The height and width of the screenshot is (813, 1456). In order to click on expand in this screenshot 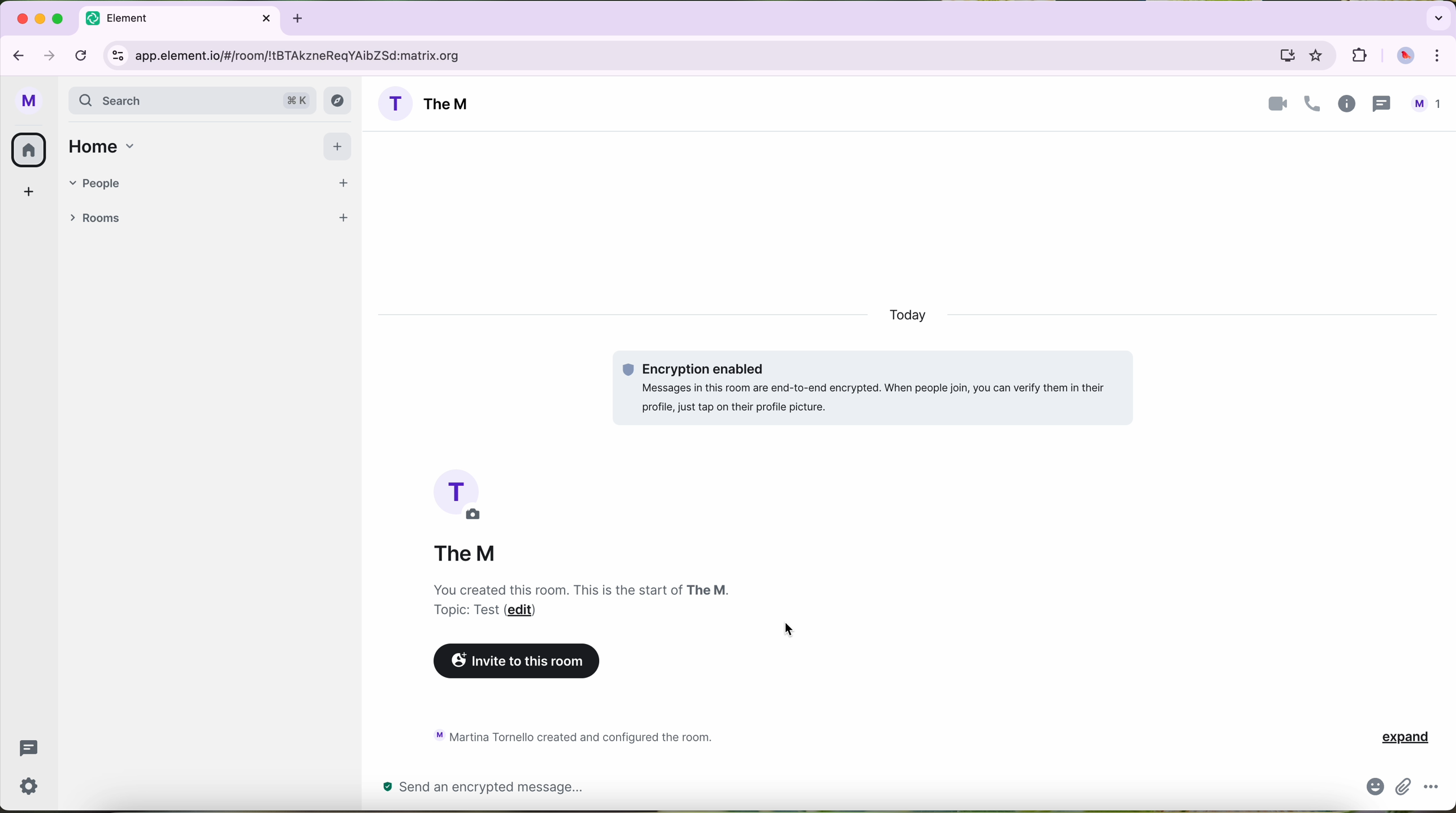, I will do `click(1402, 737)`.